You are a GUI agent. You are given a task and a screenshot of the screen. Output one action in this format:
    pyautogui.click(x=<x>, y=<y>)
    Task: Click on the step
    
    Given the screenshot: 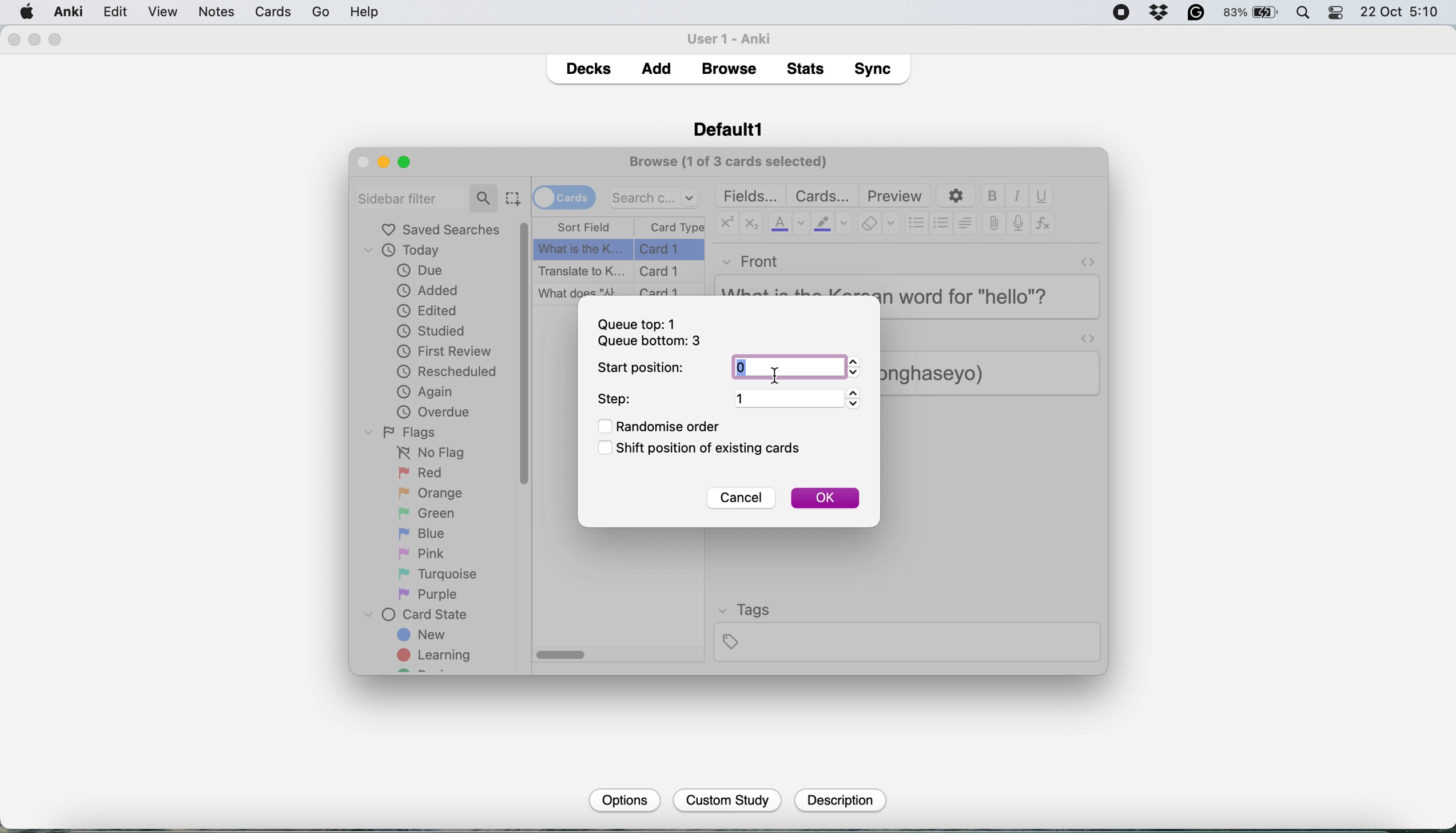 What is the action you would take?
    pyautogui.click(x=795, y=398)
    